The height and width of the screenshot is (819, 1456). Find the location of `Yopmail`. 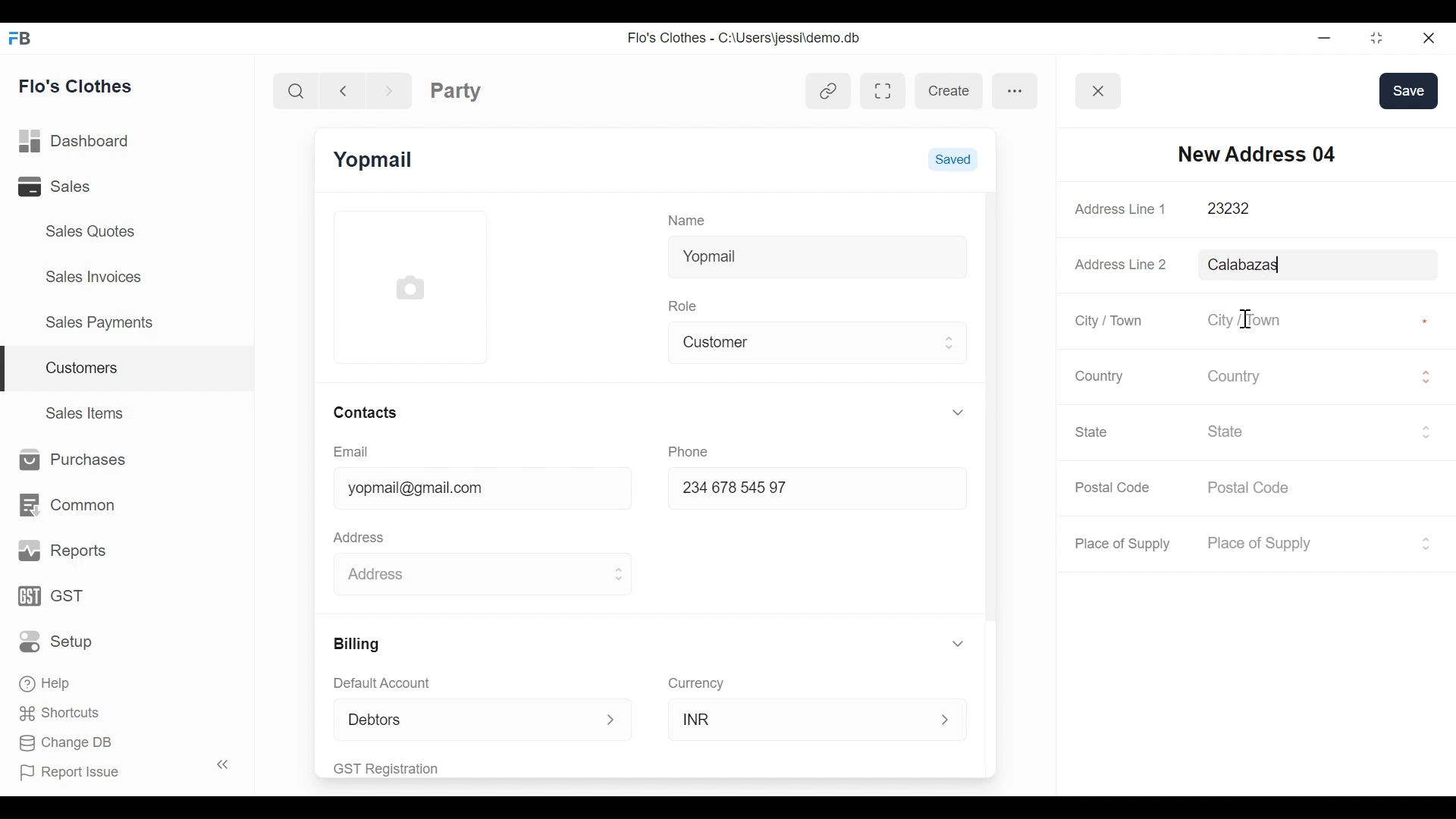

Yopmail is located at coordinates (375, 160).